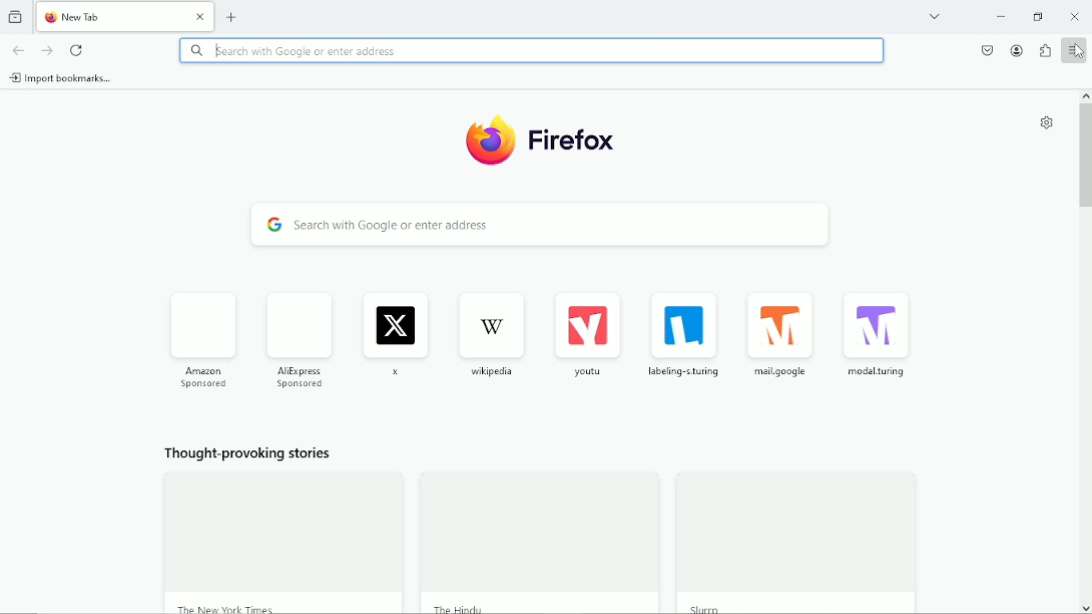  I want to click on Customize new tab, so click(1047, 121).